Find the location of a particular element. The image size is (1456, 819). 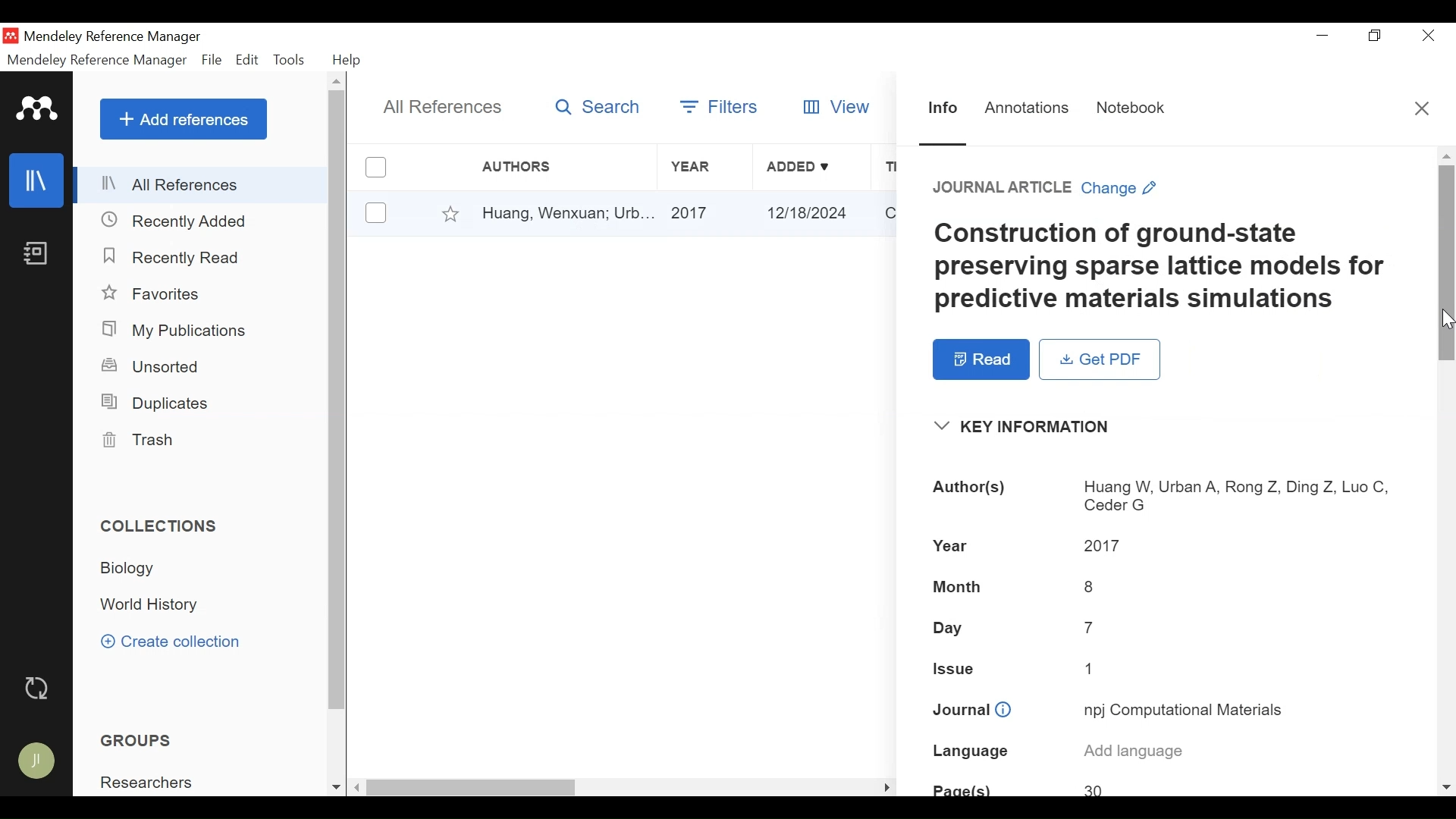

Groups is located at coordinates (136, 740).